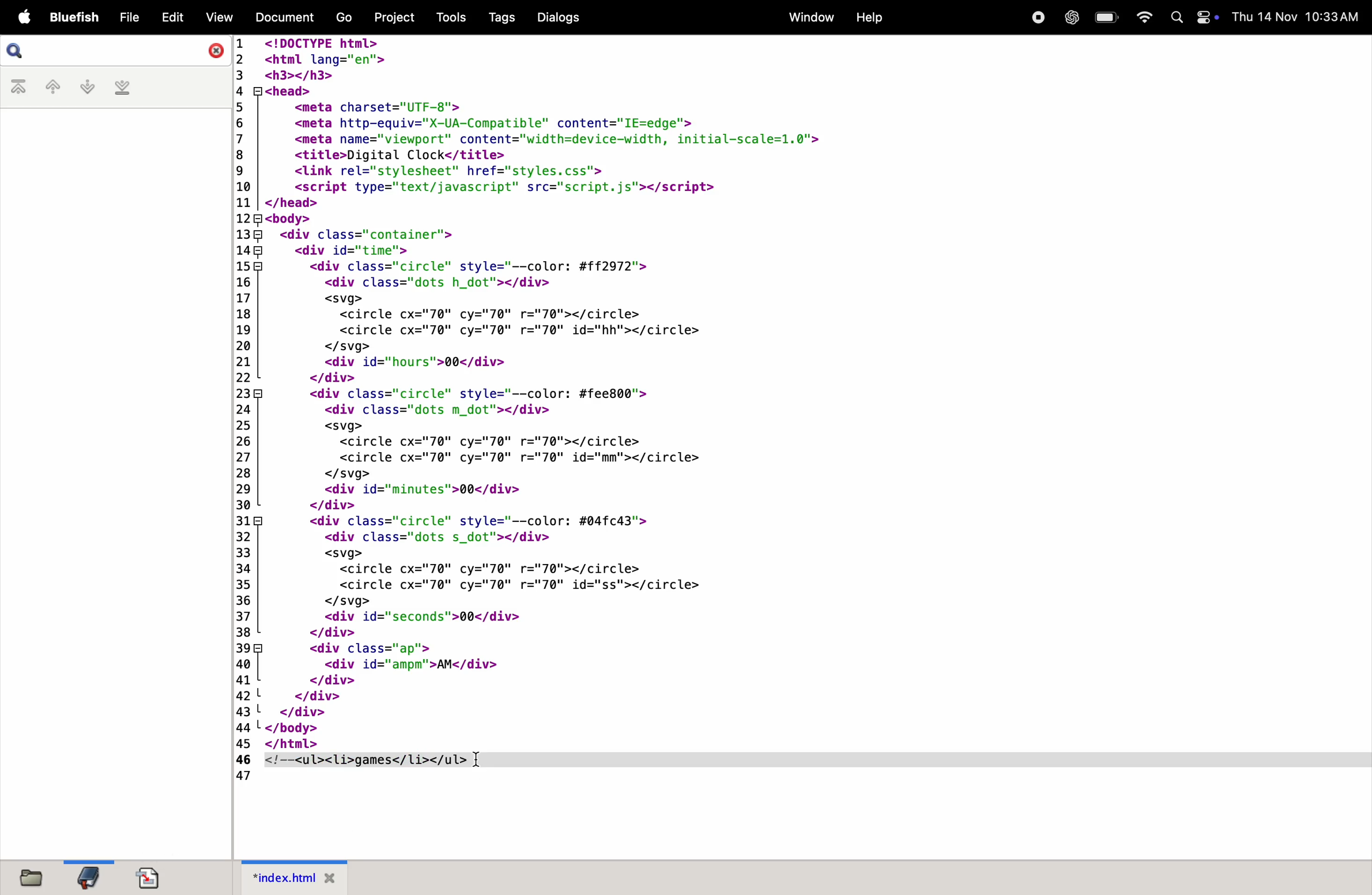 Image resolution: width=1372 pixels, height=895 pixels. Describe the element at coordinates (35, 878) in the screenshot. I see `files` at that location.